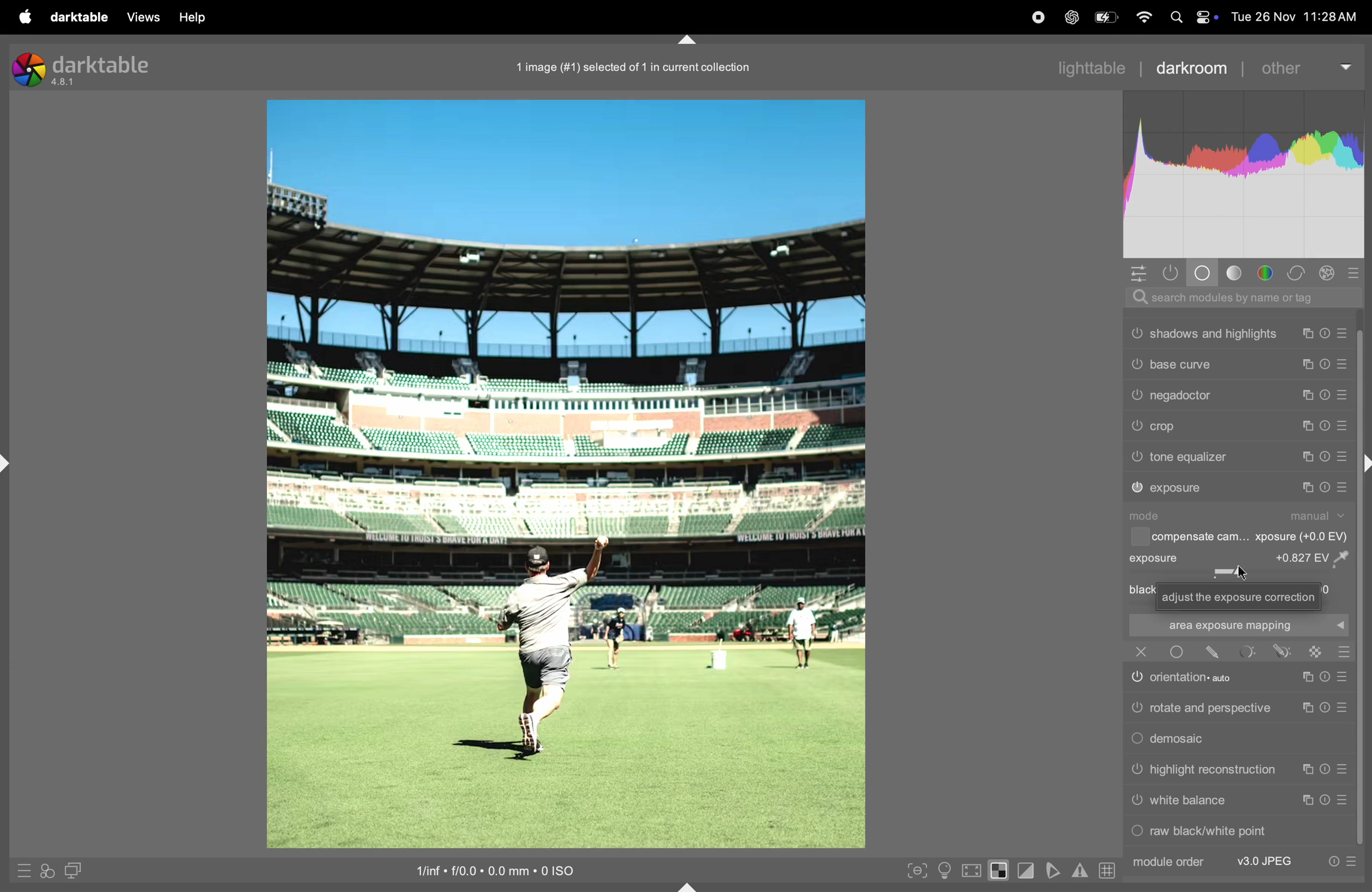  What do you see at coordinates (1136, 333) in the screenshot?
I see `Switch on or off` at bounding box center [1136, 333].